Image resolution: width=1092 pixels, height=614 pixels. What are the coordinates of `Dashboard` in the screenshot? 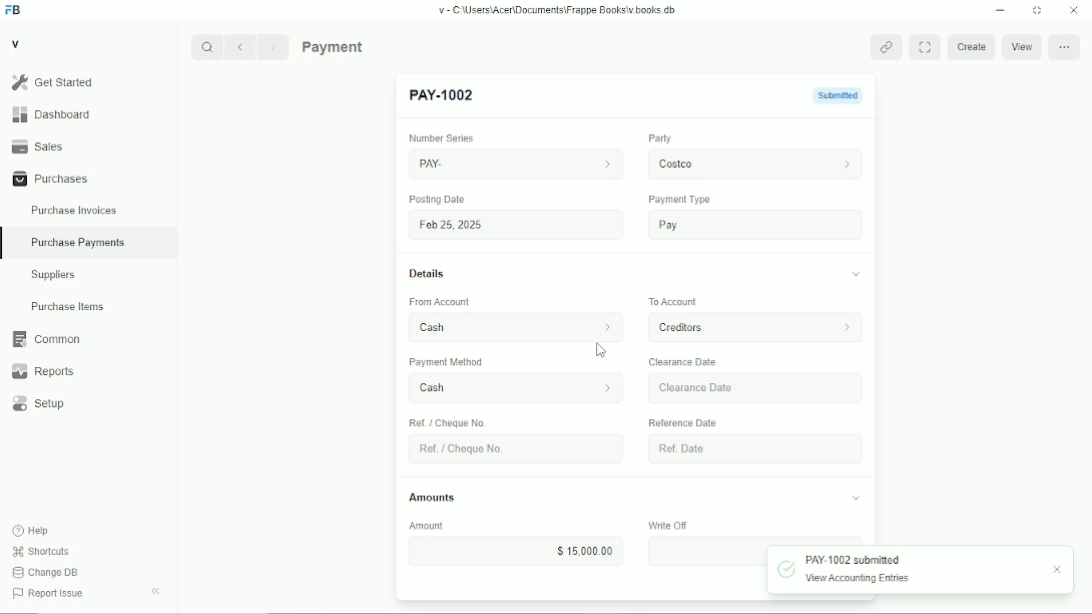 It's located at (88, 114).